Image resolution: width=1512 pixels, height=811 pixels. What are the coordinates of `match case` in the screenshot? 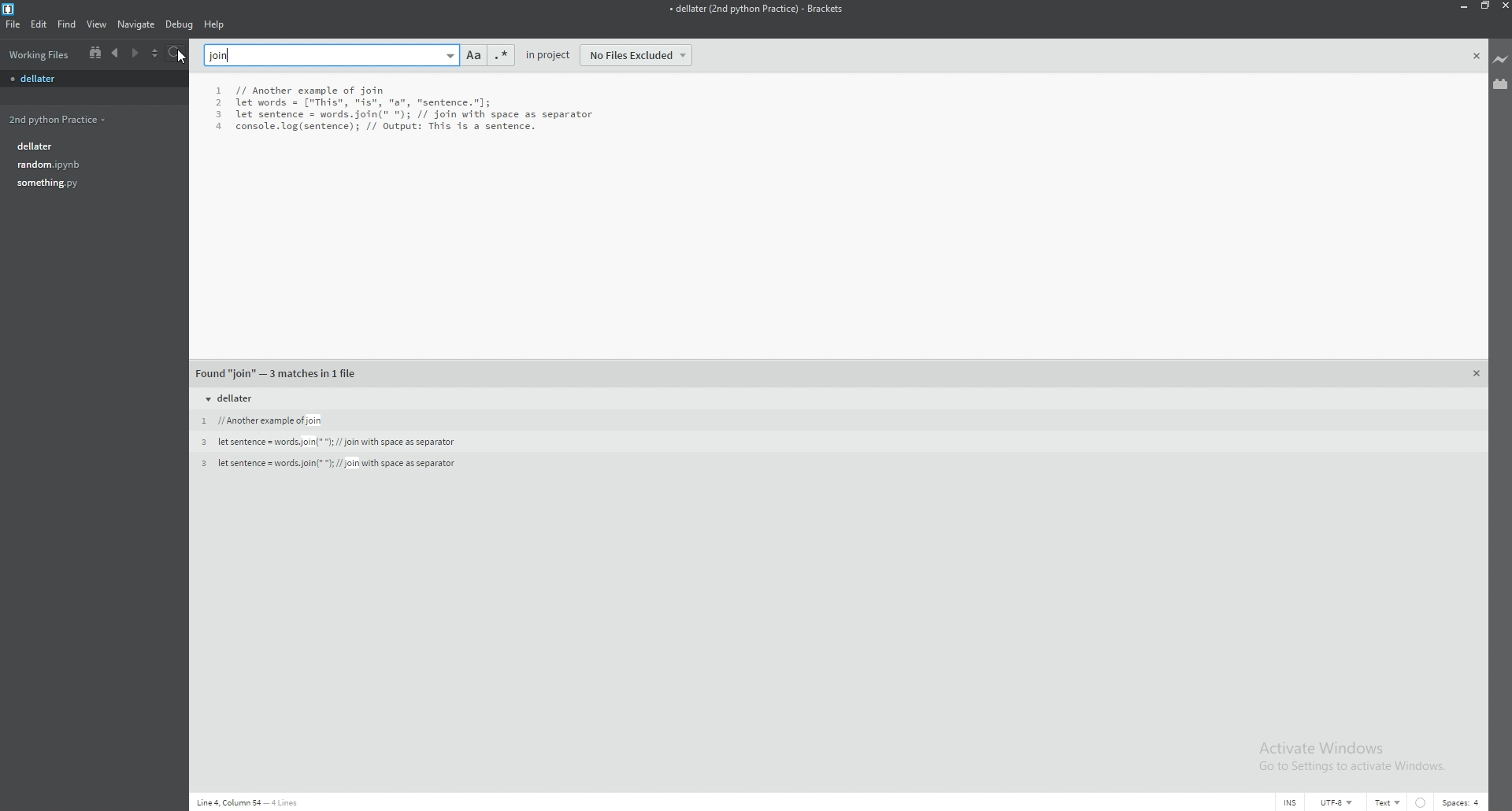 It's located at (472, 56).